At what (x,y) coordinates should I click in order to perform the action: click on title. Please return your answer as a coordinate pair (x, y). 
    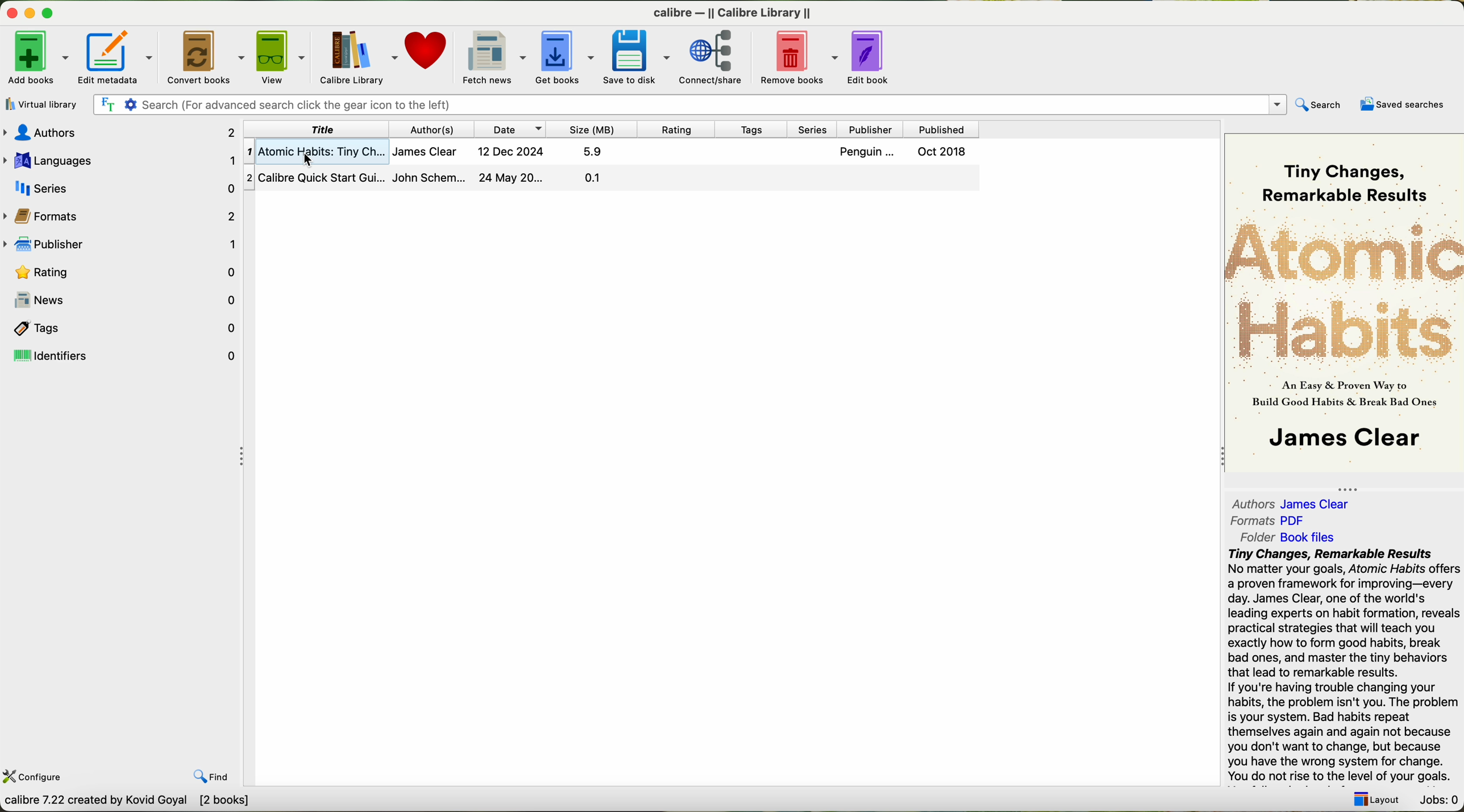
    Looking at the image, I should click on (318, 130).